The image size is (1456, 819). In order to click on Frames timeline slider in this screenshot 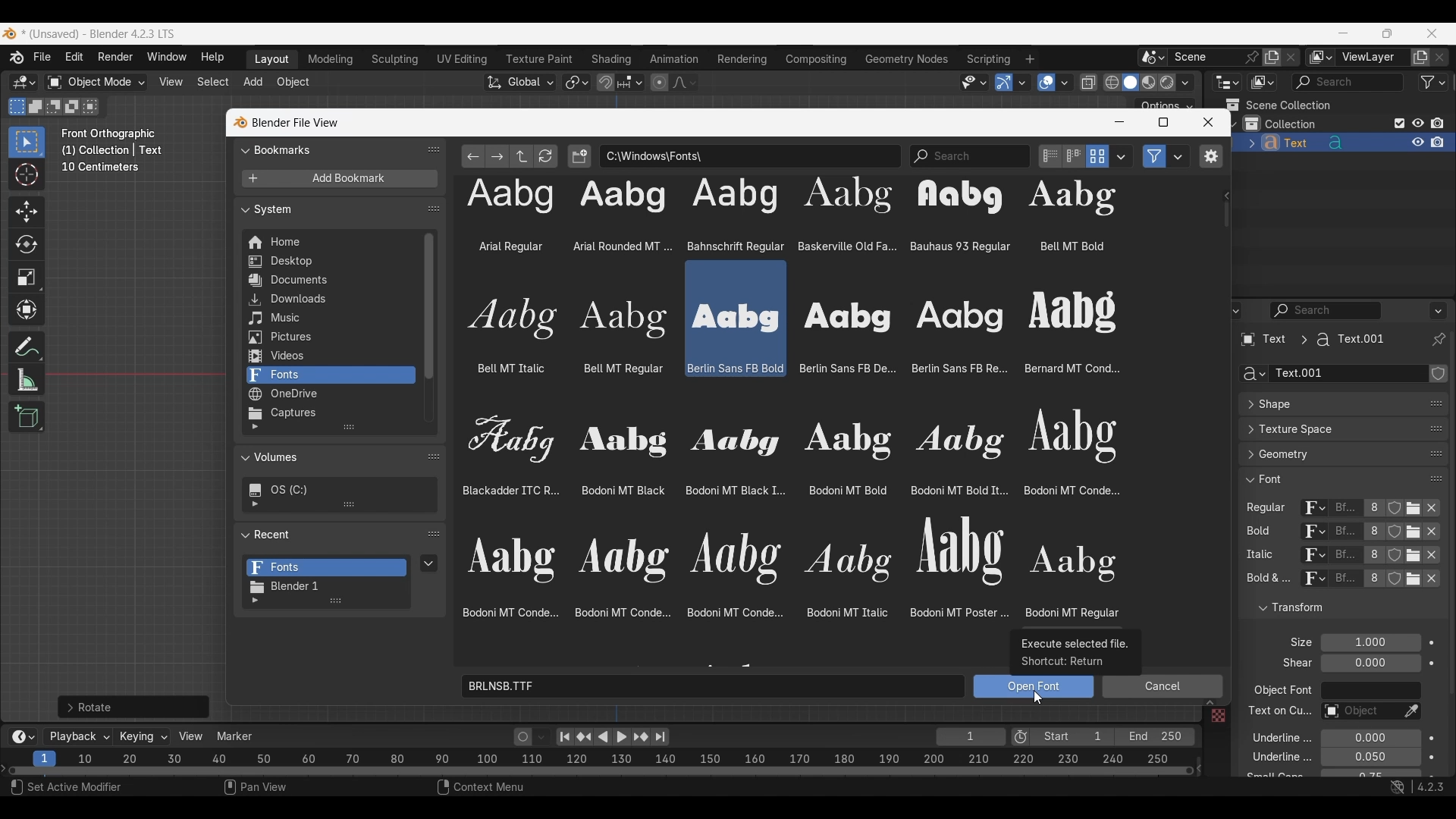, I will do `click(600, 772)`.